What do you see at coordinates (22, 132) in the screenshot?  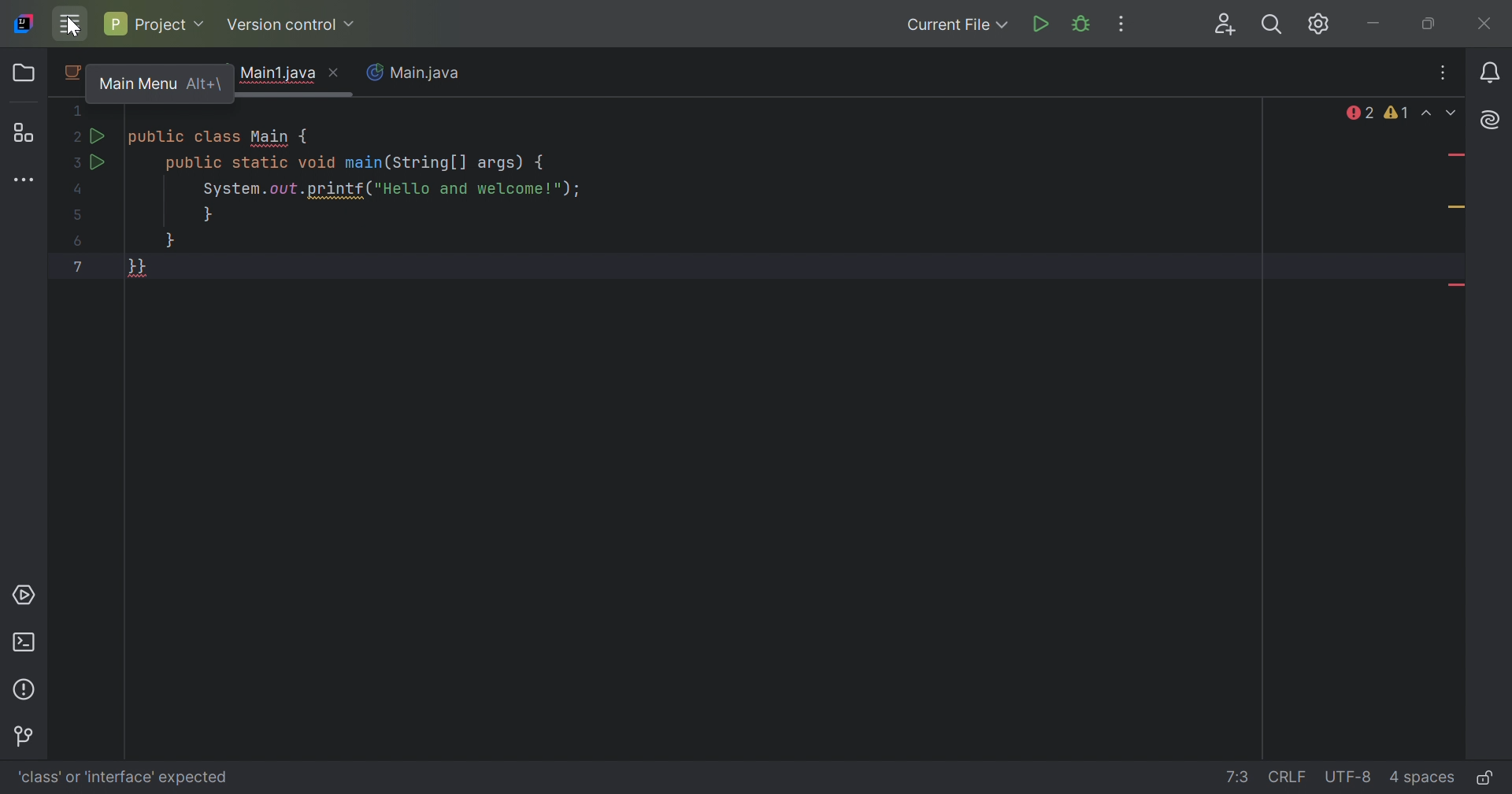 I see `Structure` at bounding box center [22, 132].